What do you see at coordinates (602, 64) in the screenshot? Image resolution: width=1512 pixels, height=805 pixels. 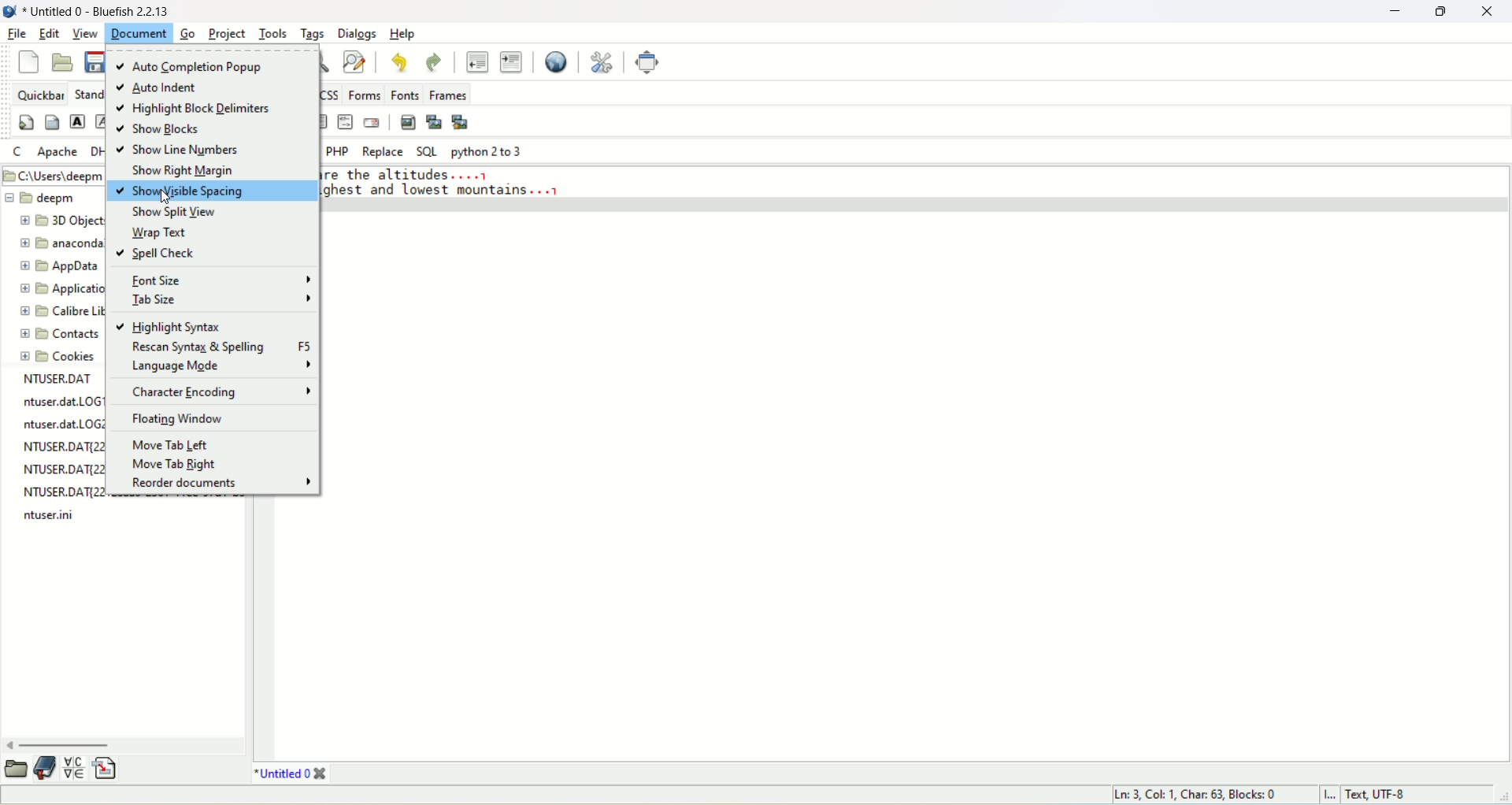 I see `edit preferences` at bounding box center [602, 64].